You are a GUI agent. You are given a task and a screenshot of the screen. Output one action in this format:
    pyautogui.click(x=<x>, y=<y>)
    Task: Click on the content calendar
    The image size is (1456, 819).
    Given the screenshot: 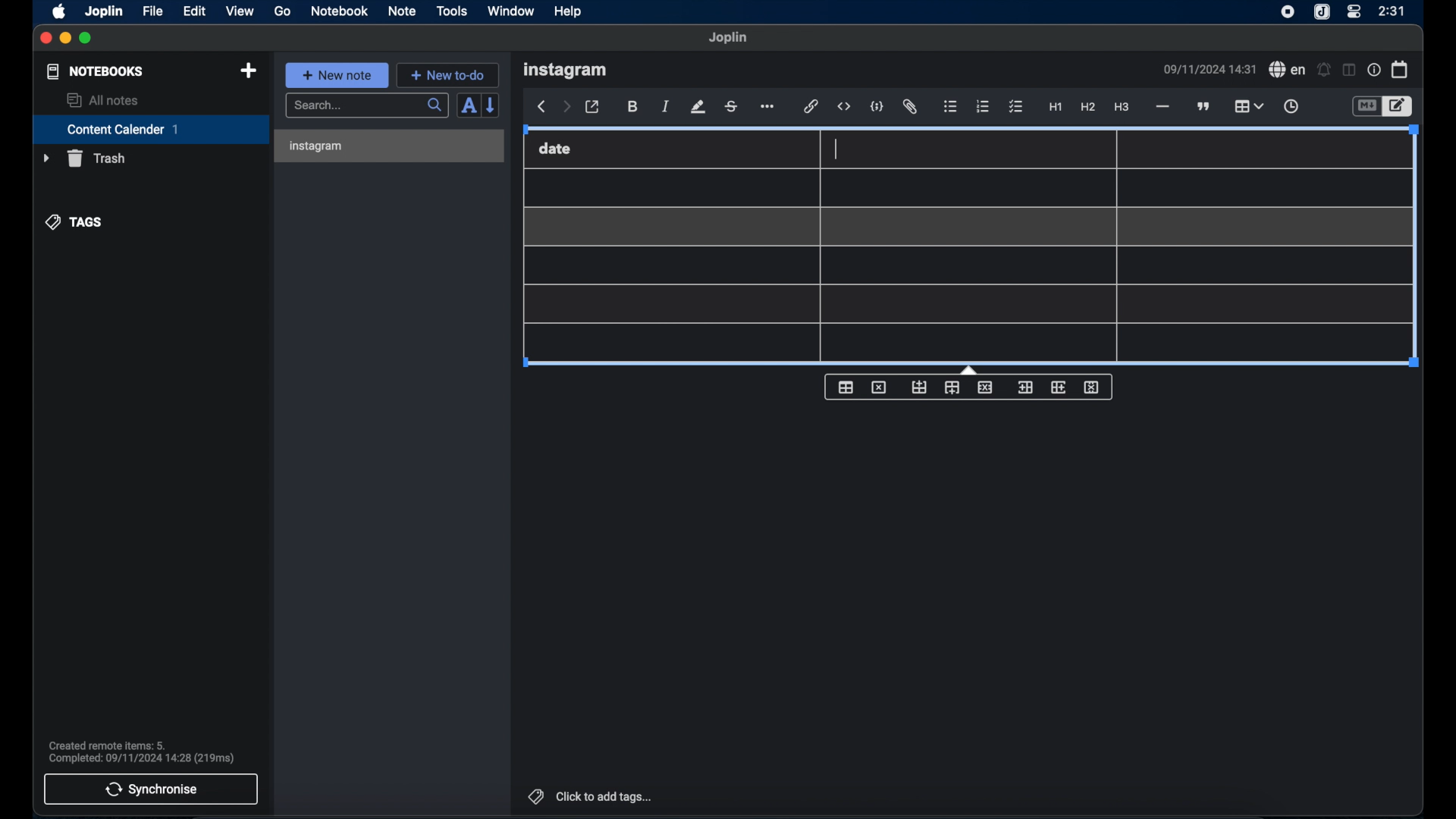 What is the action you would take?
    pyautogui.click(x=151, y=129)
    